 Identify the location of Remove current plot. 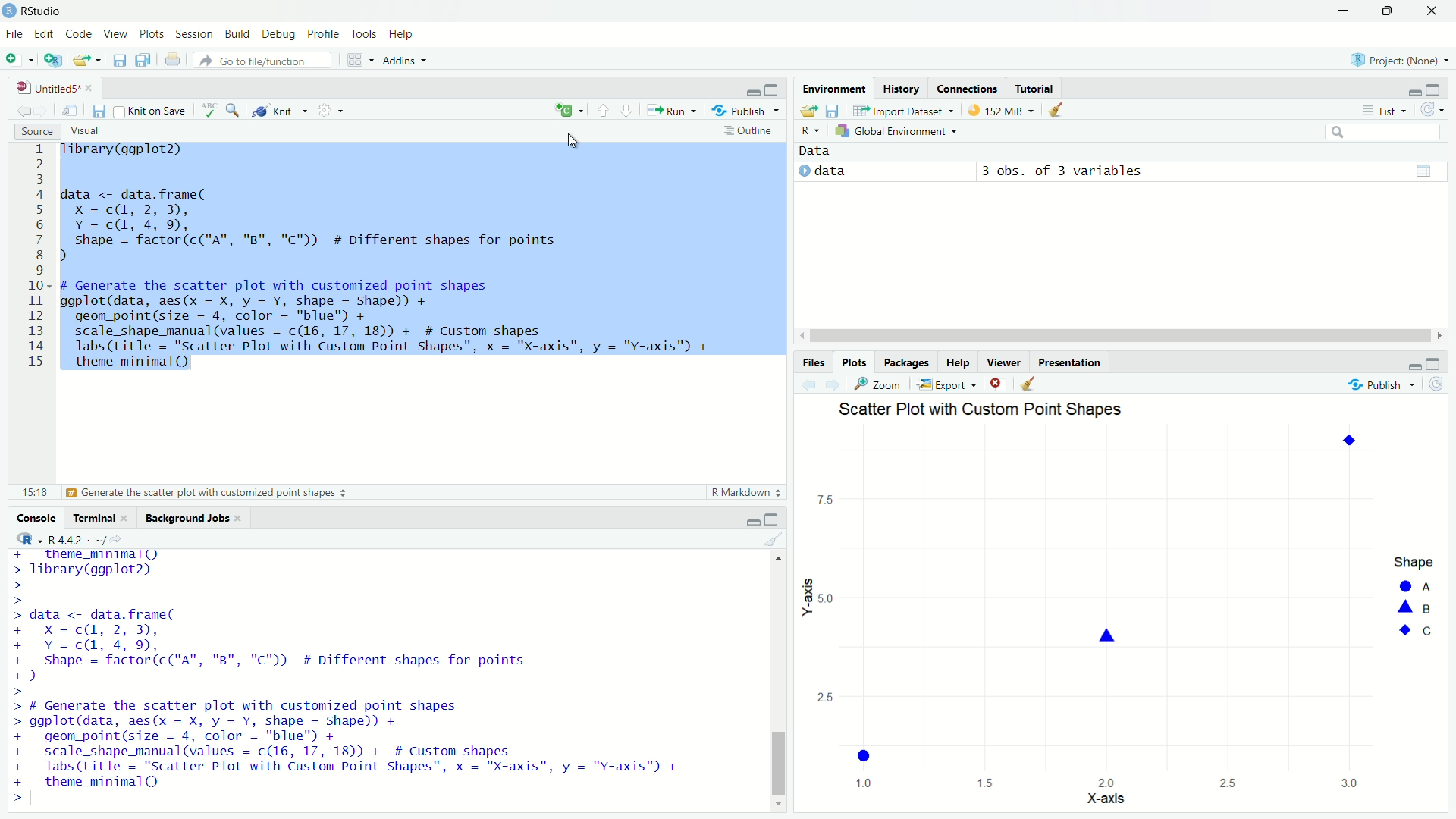
(996, 383).